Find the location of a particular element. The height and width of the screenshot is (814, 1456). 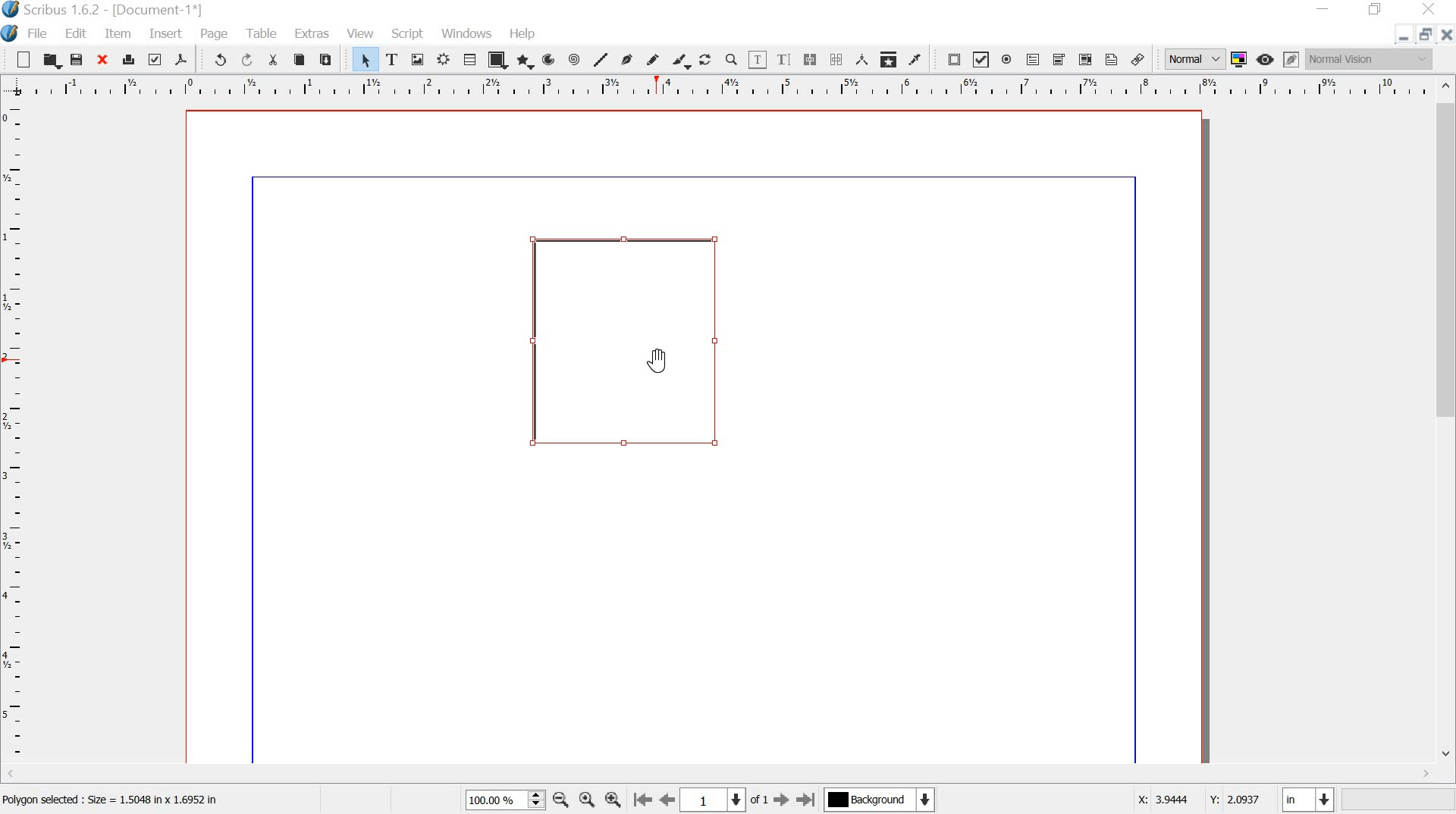

normal vision is located at coordinates (1370, 59).